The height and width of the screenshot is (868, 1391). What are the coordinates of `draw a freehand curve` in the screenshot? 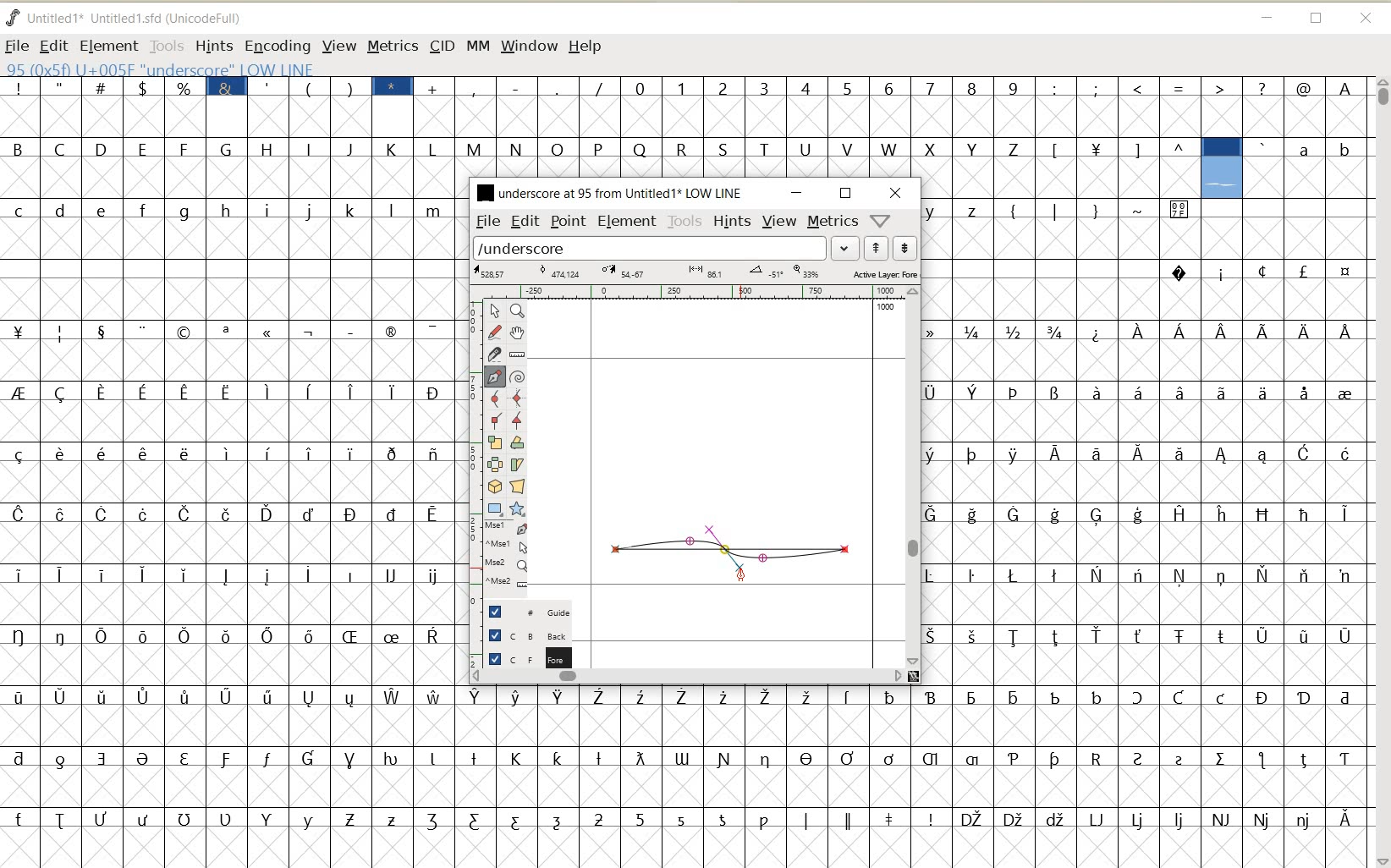 It's located at (496, 332).